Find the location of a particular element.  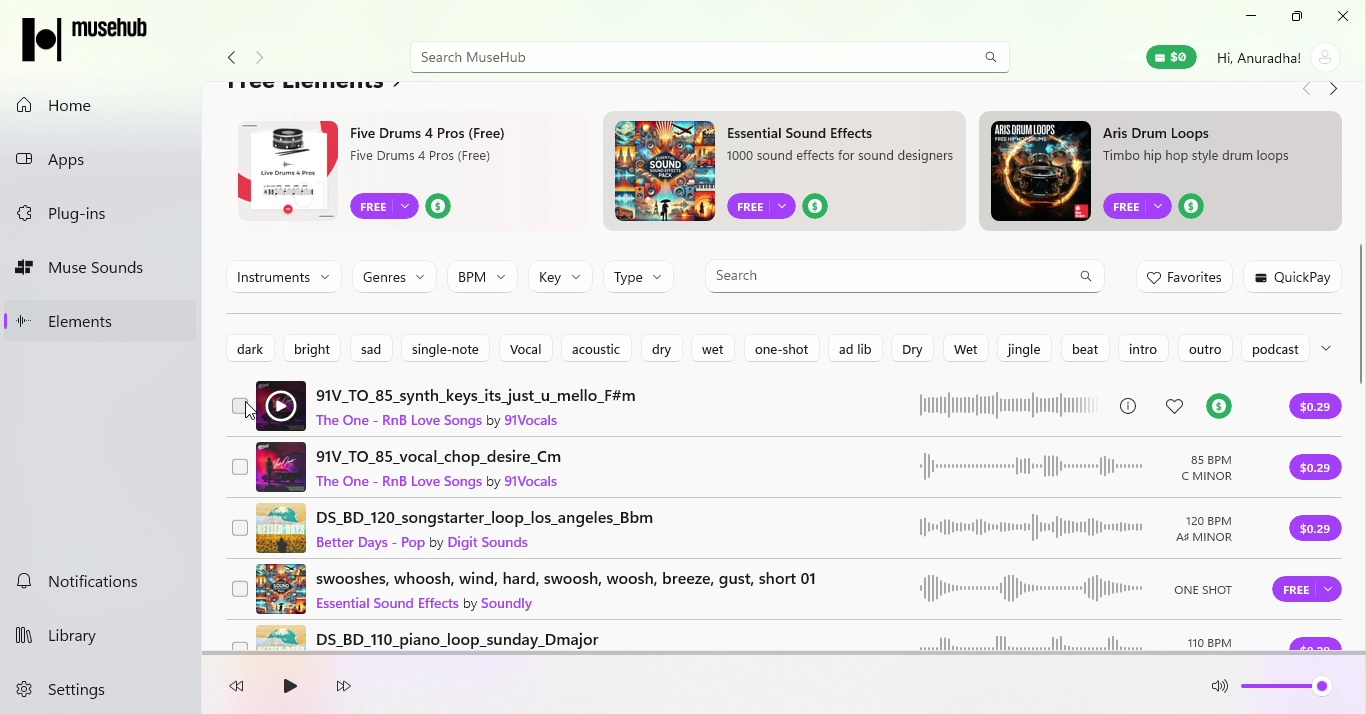

Purchase is located at coordinates (1304, 594).